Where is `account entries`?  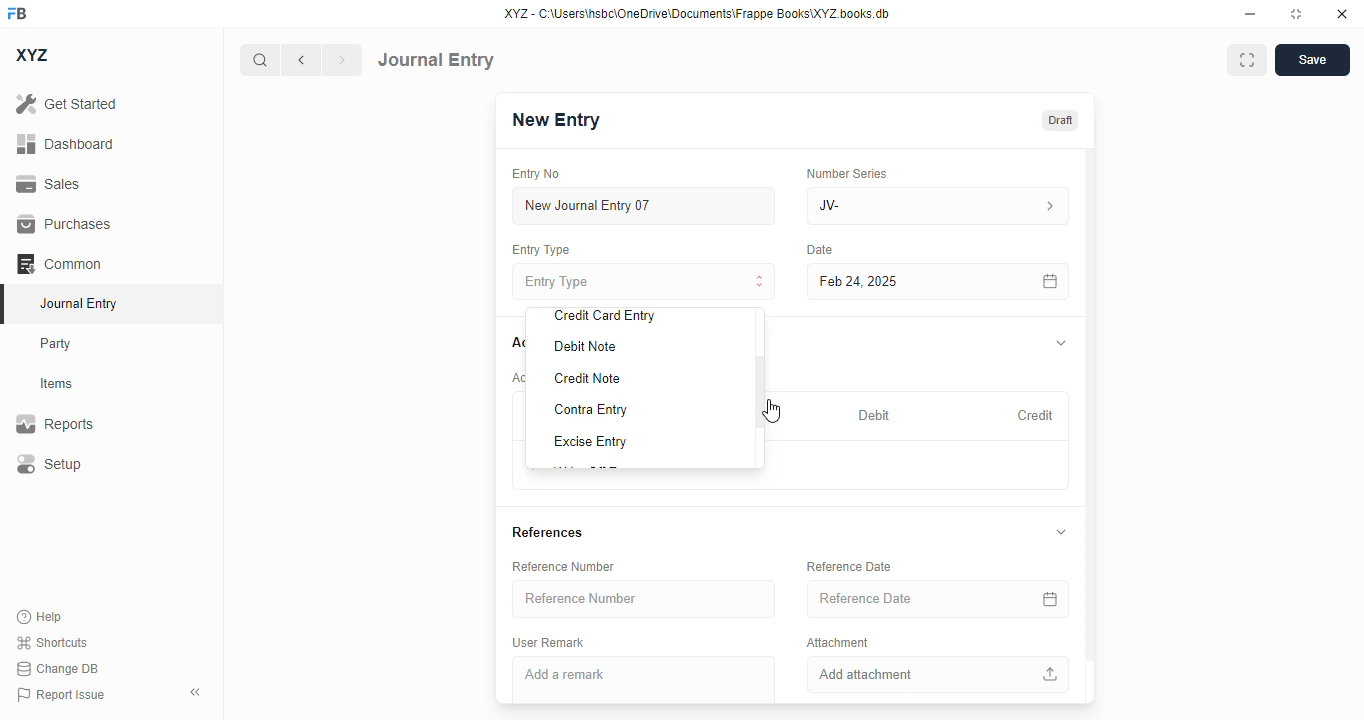 account entries is located at coordinates (517, 377).